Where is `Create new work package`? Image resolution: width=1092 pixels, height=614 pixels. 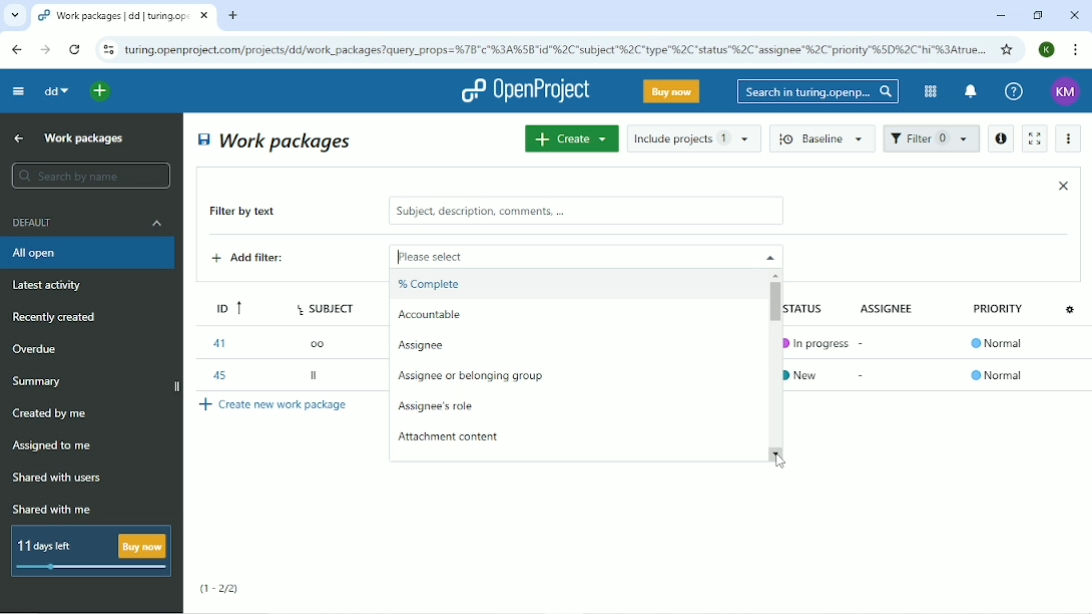
Create new work package is located at coordinates (275, 404).